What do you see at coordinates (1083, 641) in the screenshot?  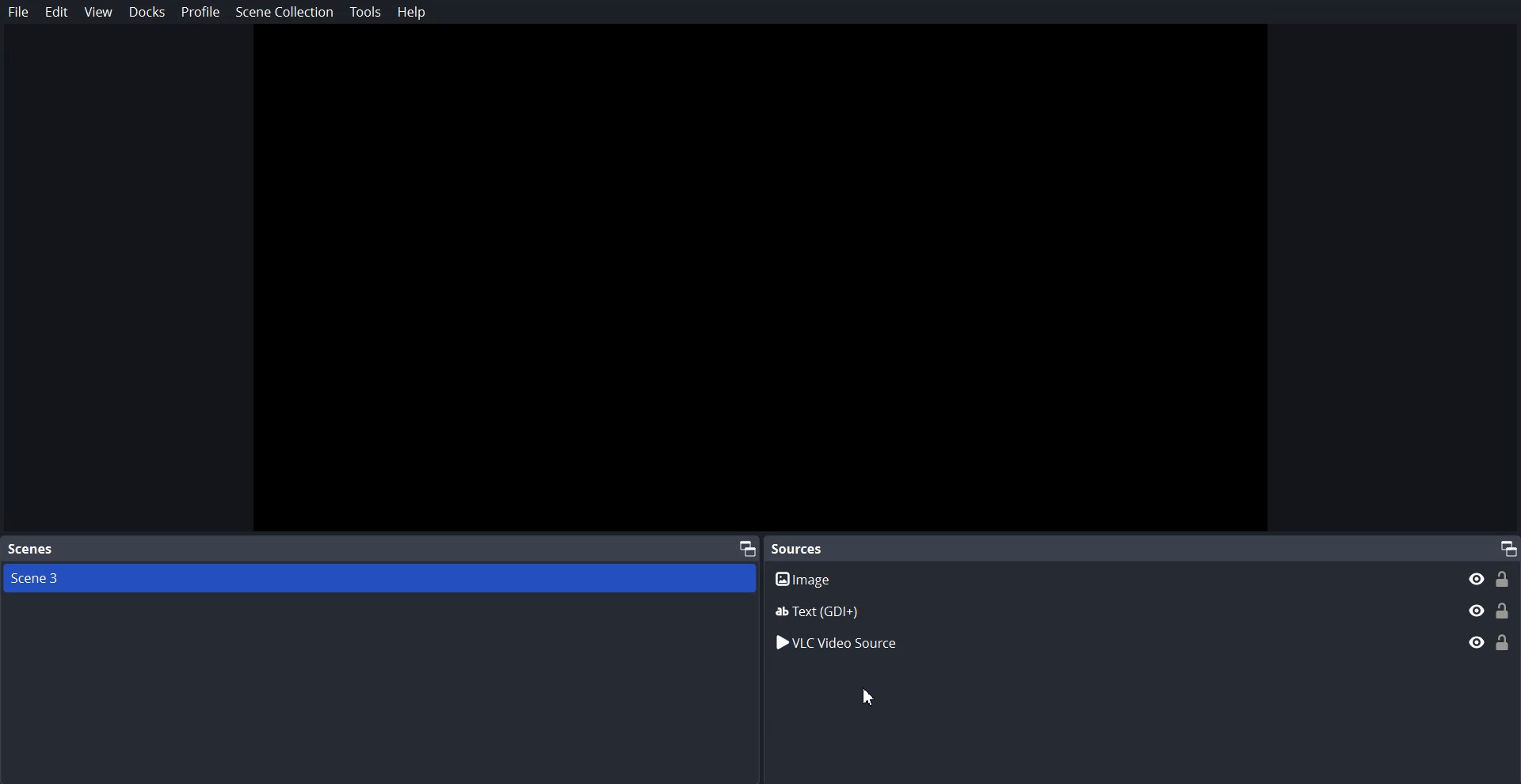 I see `VLC Video Source` at bounding box center [1083, 641].